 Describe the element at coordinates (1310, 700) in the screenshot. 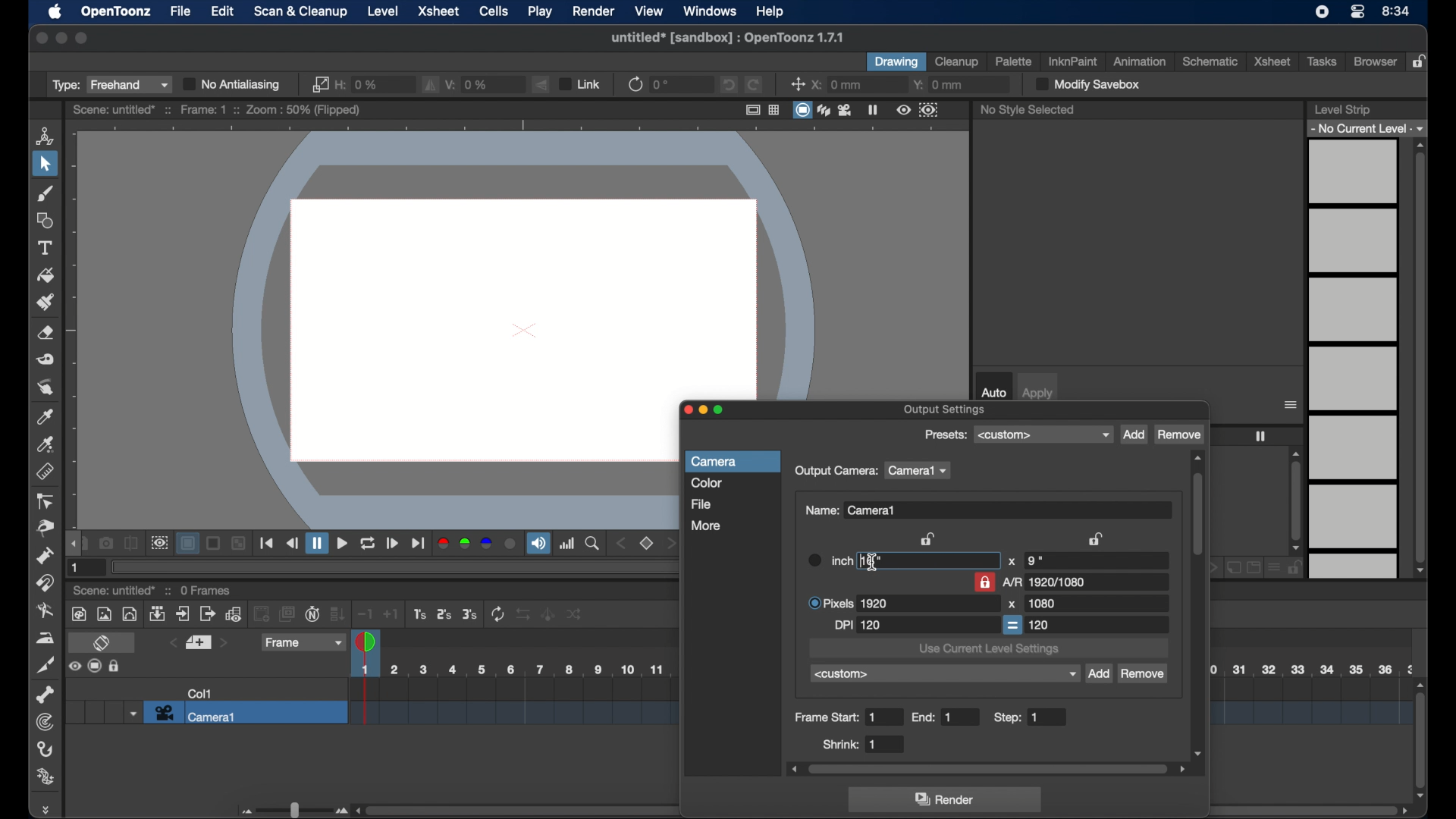

I see `scene scale` at that location.